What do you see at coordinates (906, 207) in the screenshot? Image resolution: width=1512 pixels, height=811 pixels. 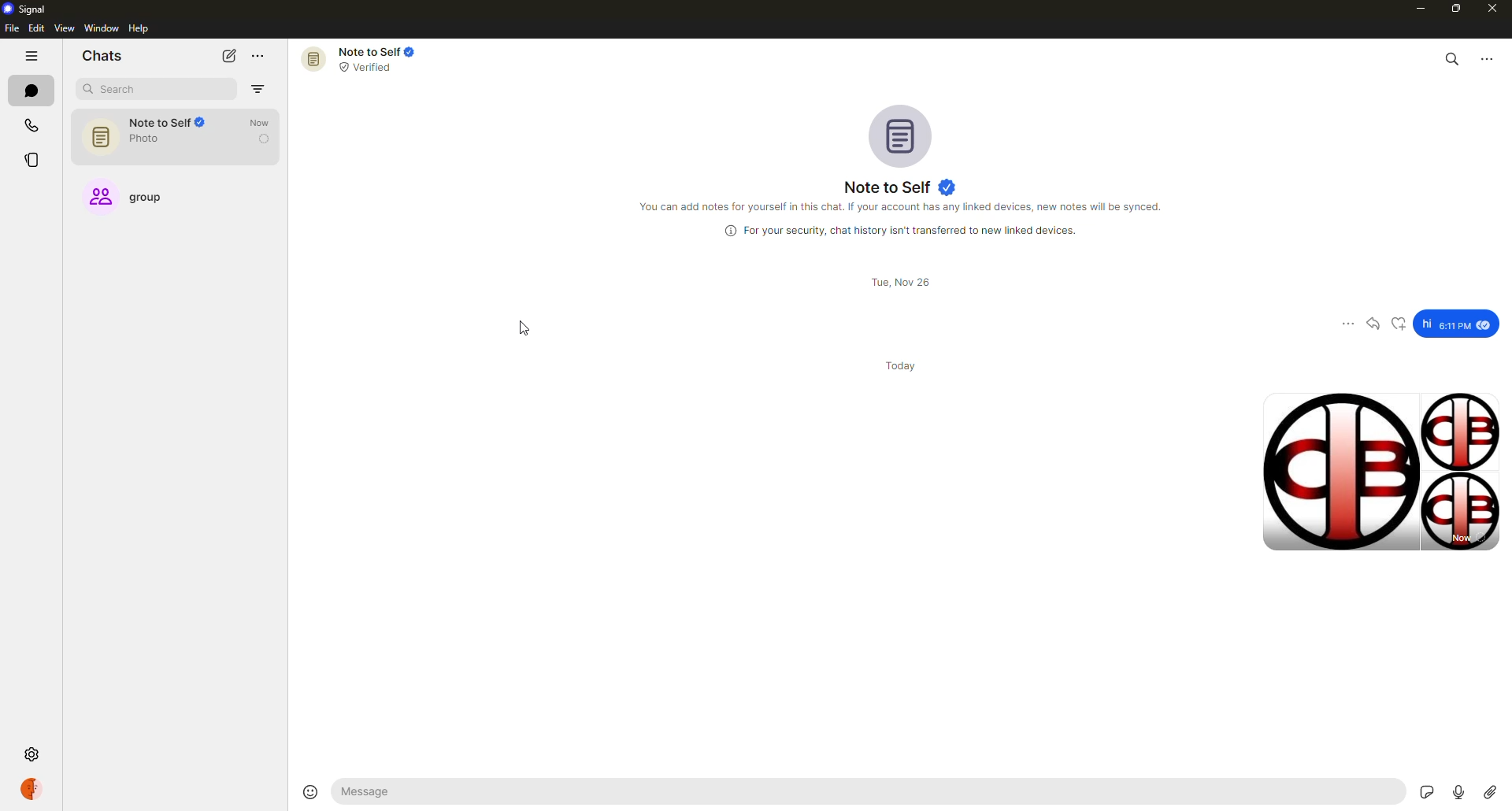 I see `info` at bounding box center [906, 207].